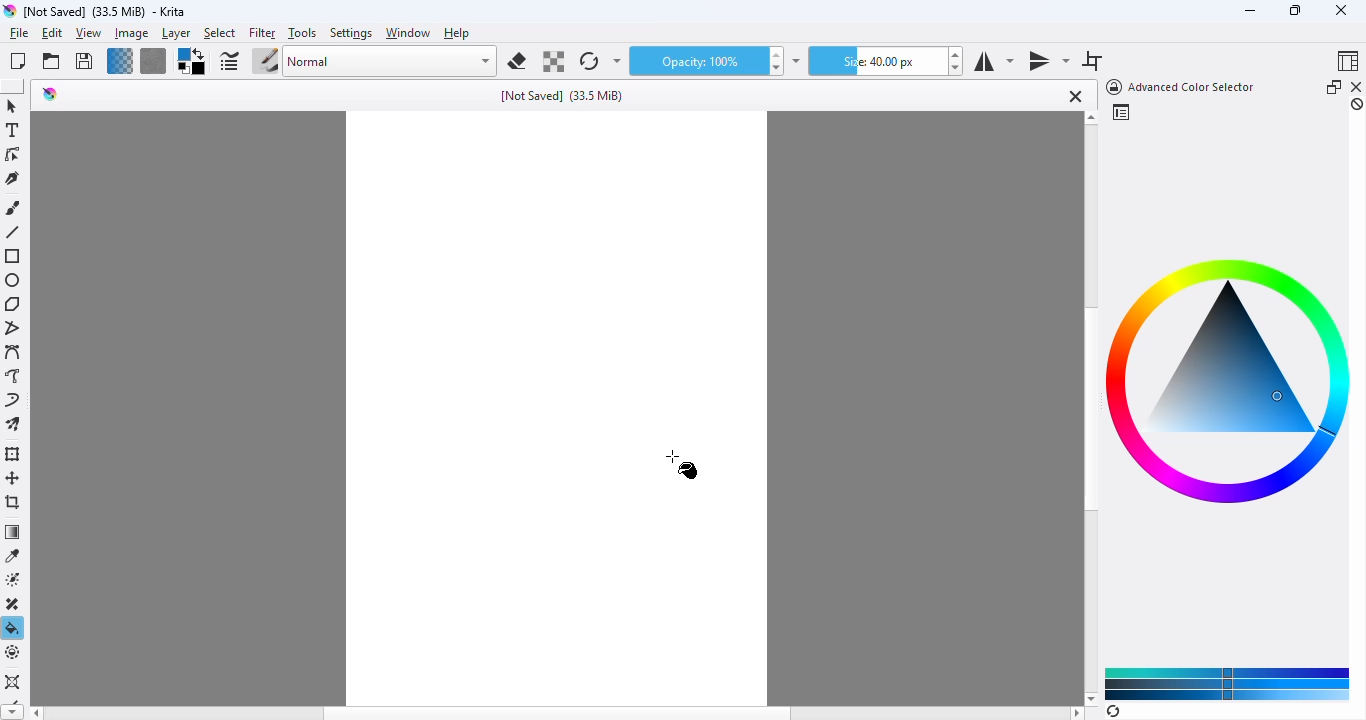  What do you see at coordinates (1077, 713) in the screenshot?
I see `scroll right` at bounding box center [1077, 713].